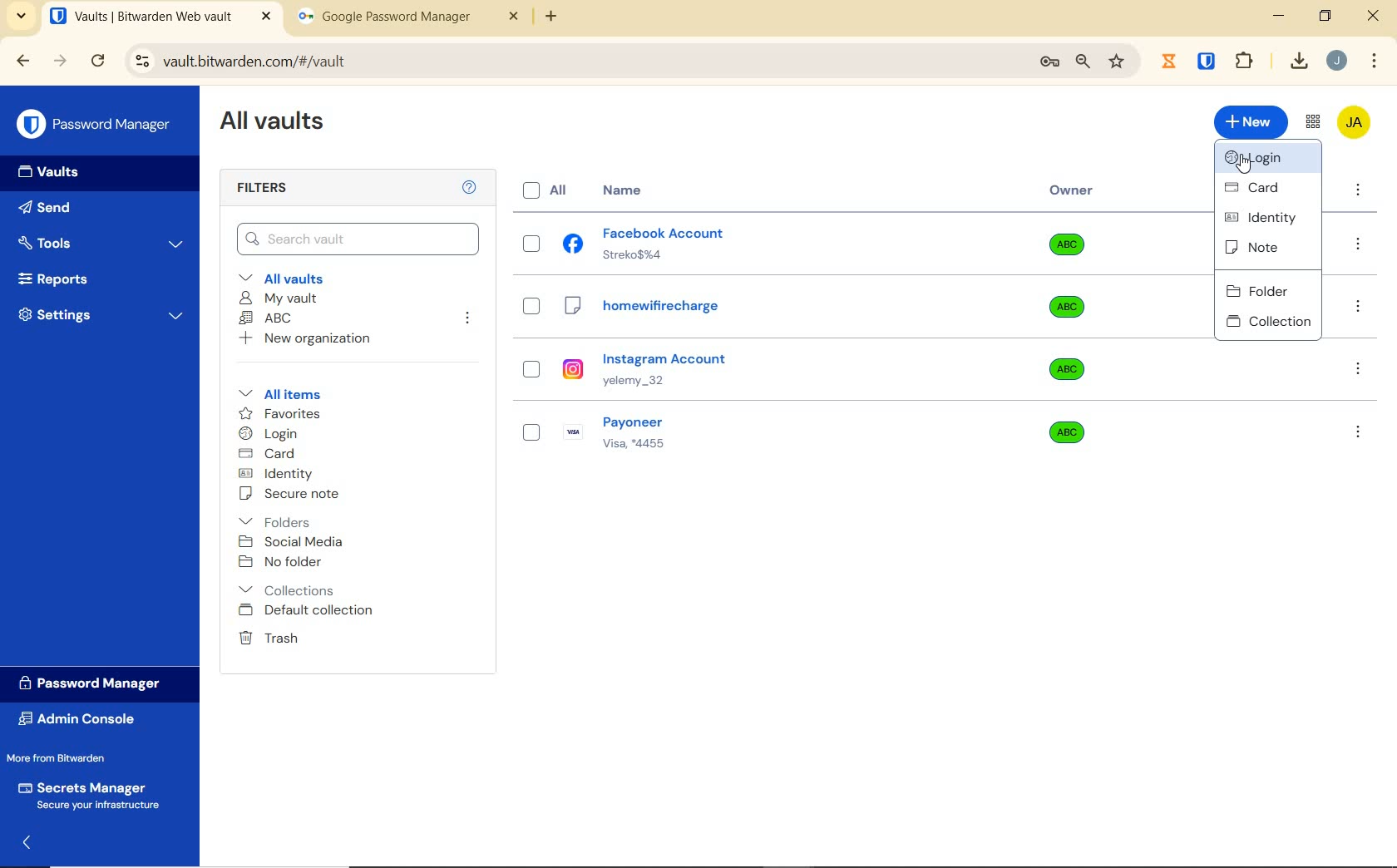 The image size is (1397, 868). What do you see at coordinates (21, 18) in the screenshot?
I see `search tabs` at bounding box center [21, 18].